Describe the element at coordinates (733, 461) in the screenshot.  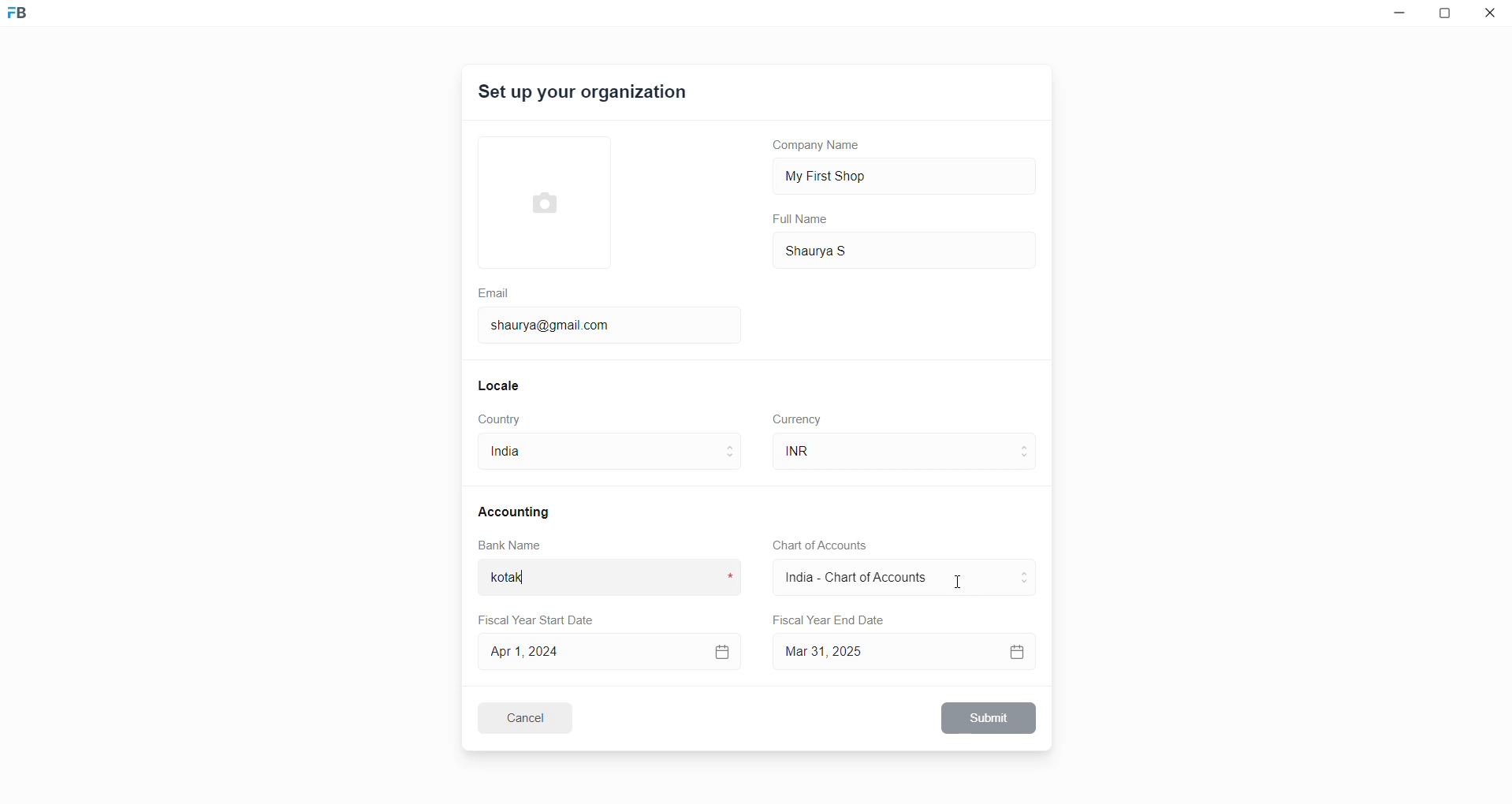
I see `move to below country` at that location.